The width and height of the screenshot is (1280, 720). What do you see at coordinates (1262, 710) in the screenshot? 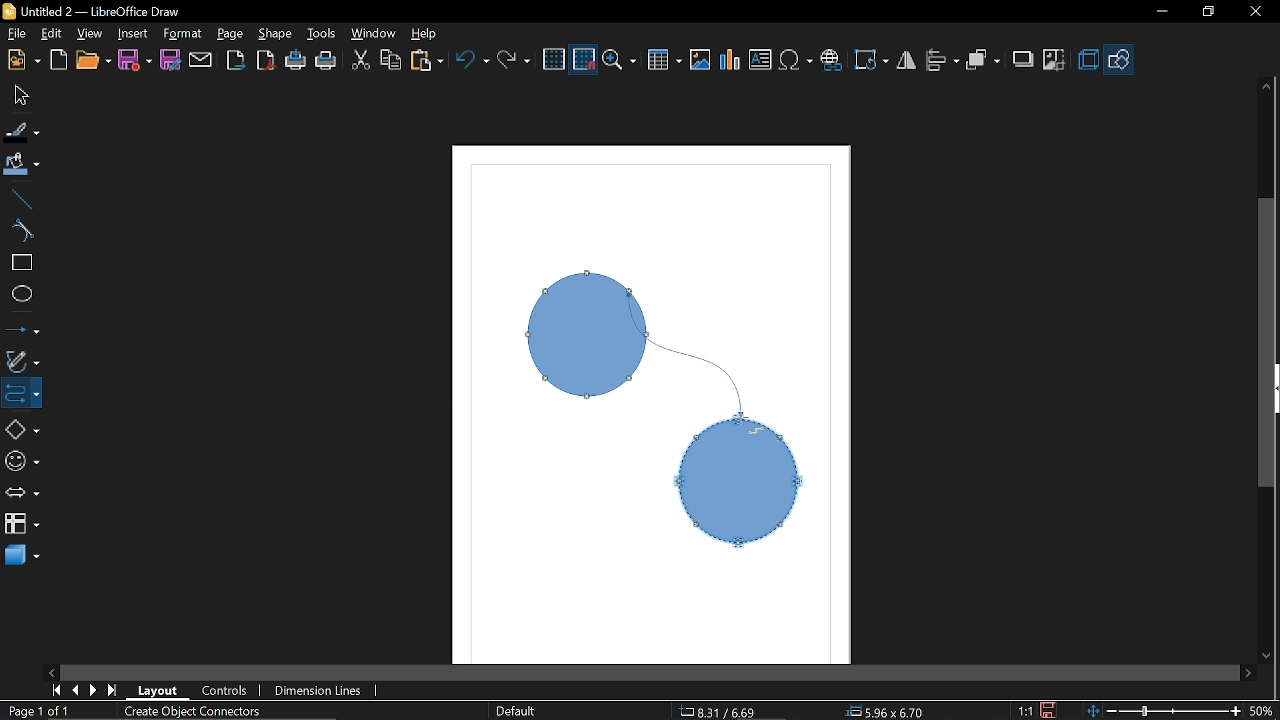
I see `Current zoom` at bounding box center [1262, 710].